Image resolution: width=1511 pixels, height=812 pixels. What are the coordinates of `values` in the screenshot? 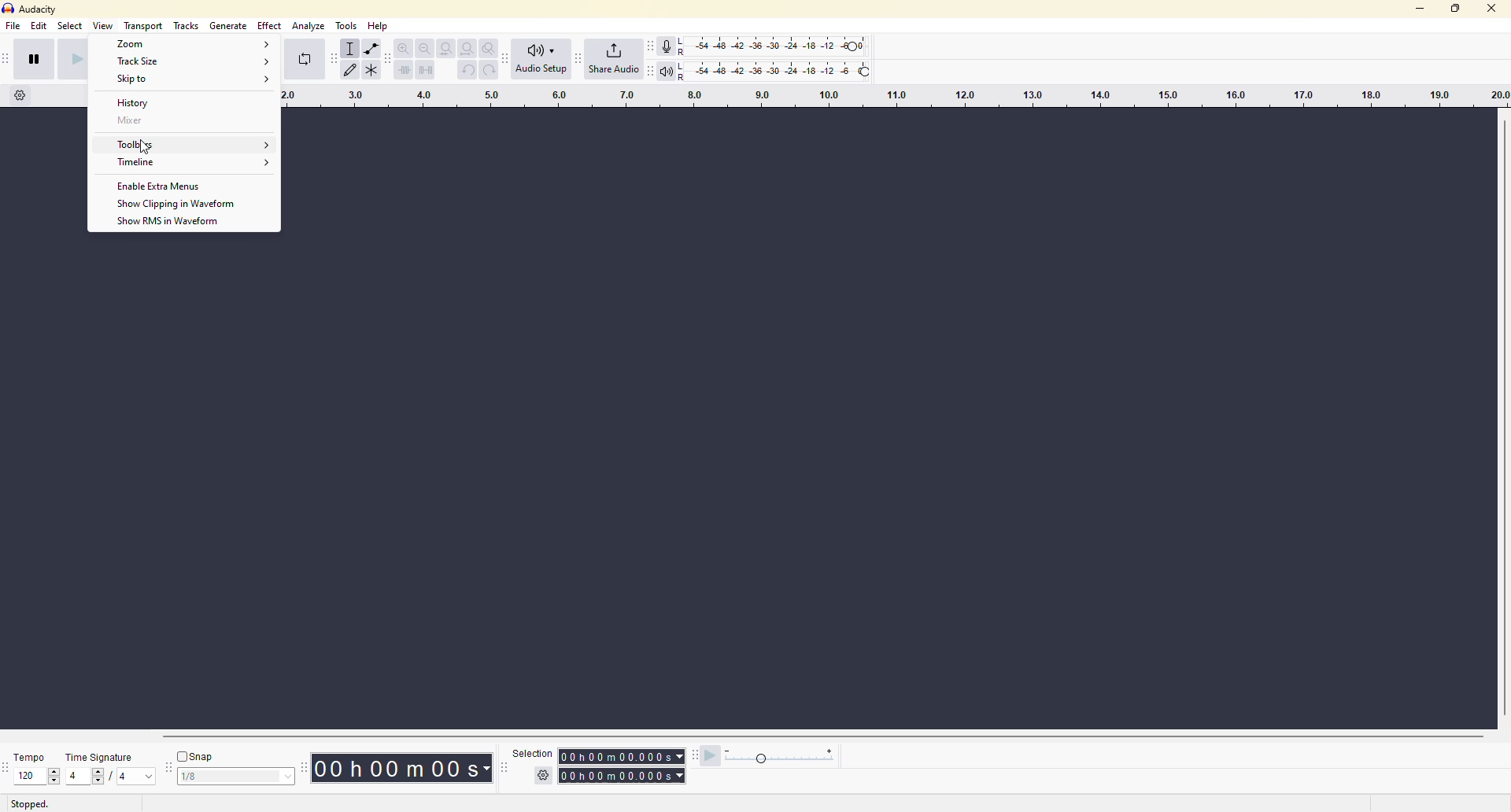 It's located at (133, 777).